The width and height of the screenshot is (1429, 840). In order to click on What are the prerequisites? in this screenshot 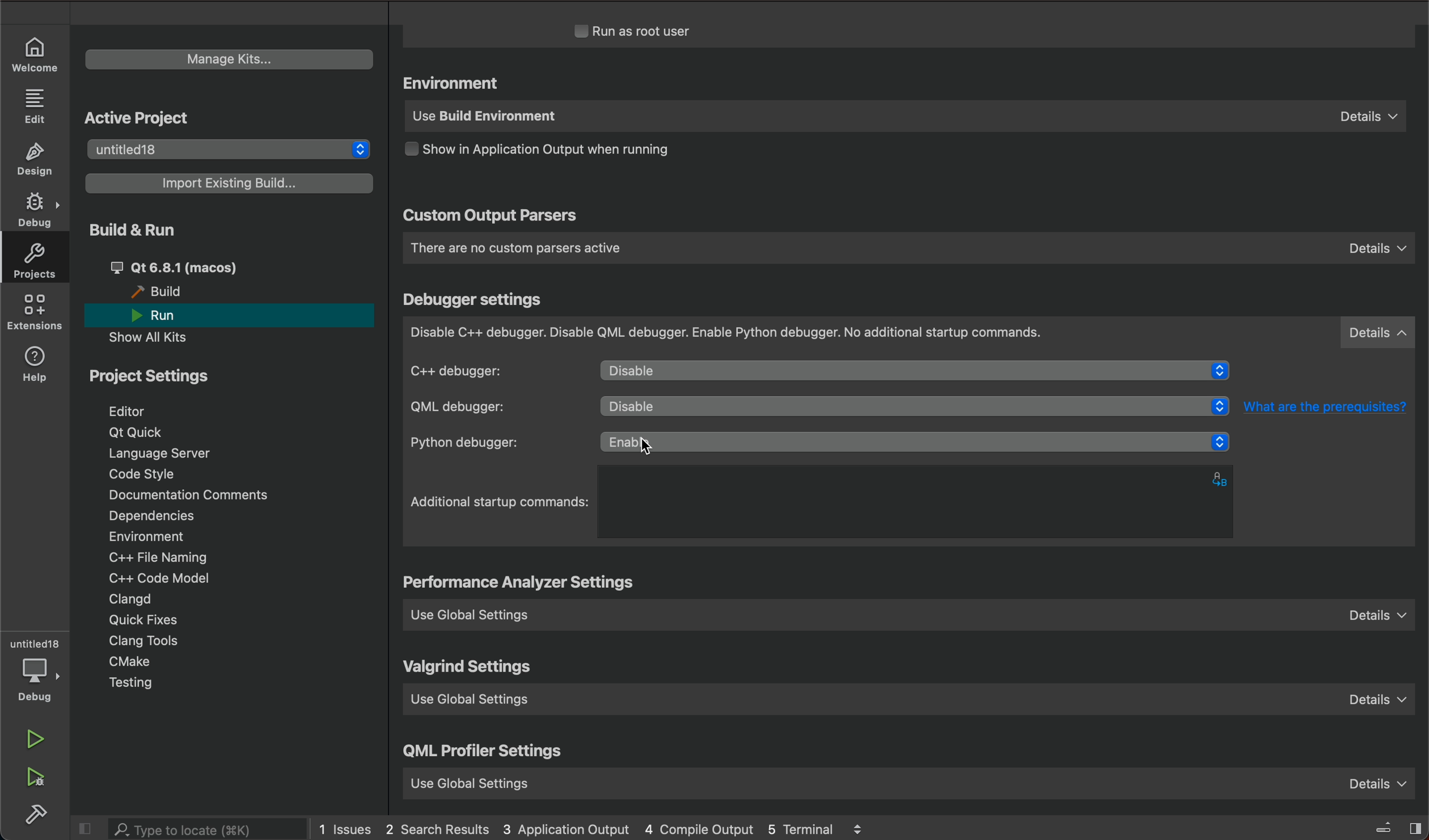, I will do `click(1327, 405)`.